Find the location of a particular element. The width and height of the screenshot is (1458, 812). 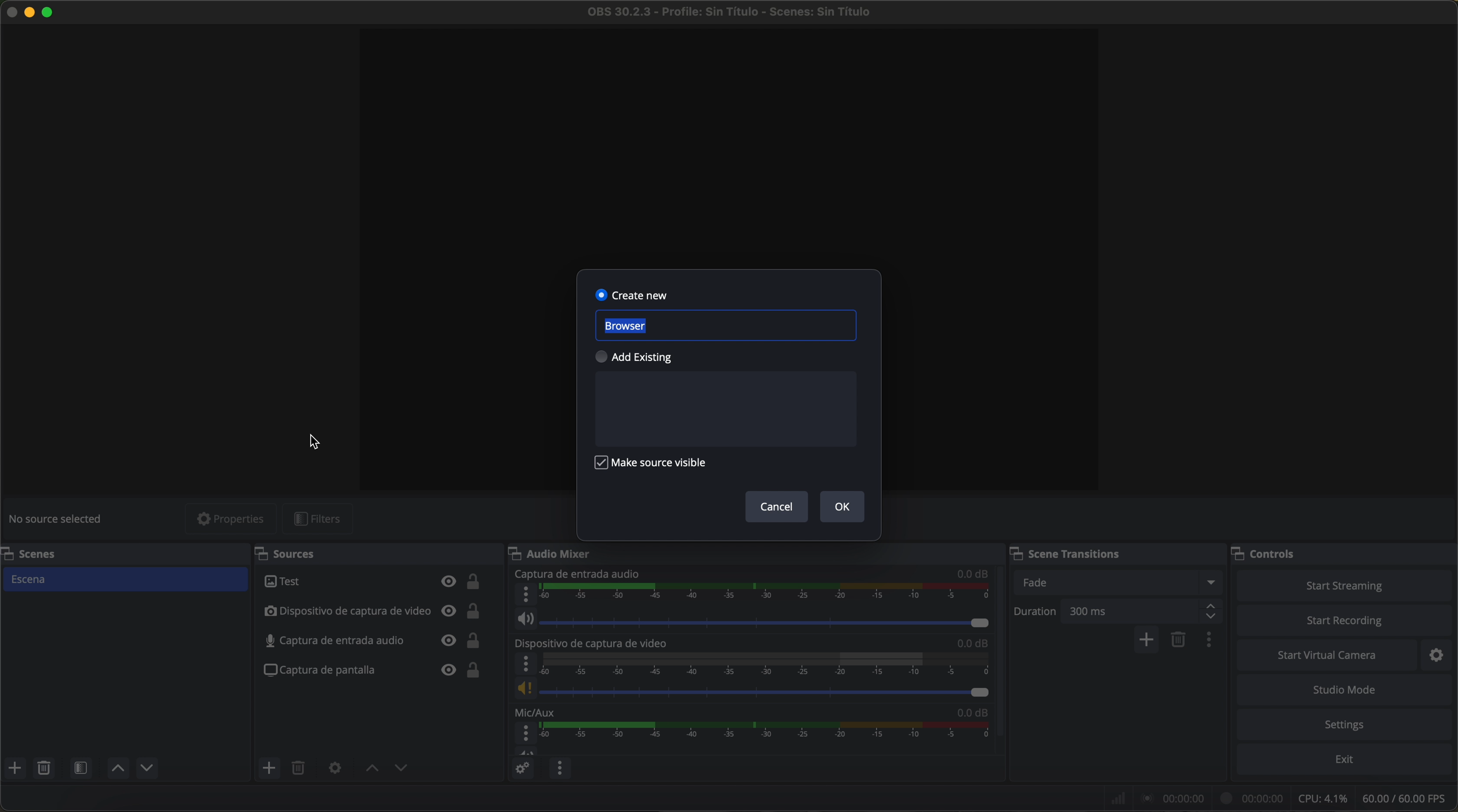

video capture device is located at coordinates (593, 643).